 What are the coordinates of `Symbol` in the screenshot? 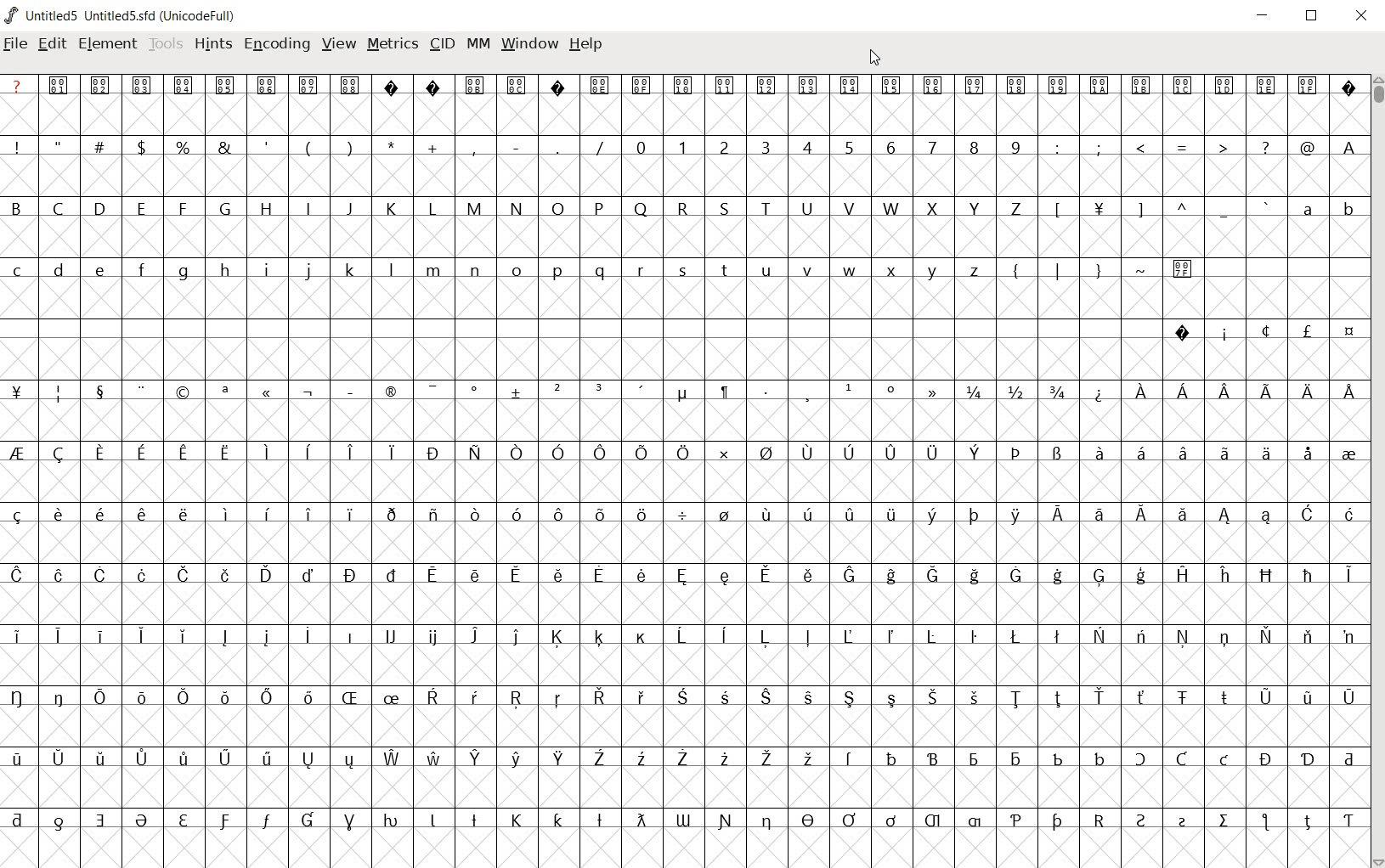 It's located at (975, 636).